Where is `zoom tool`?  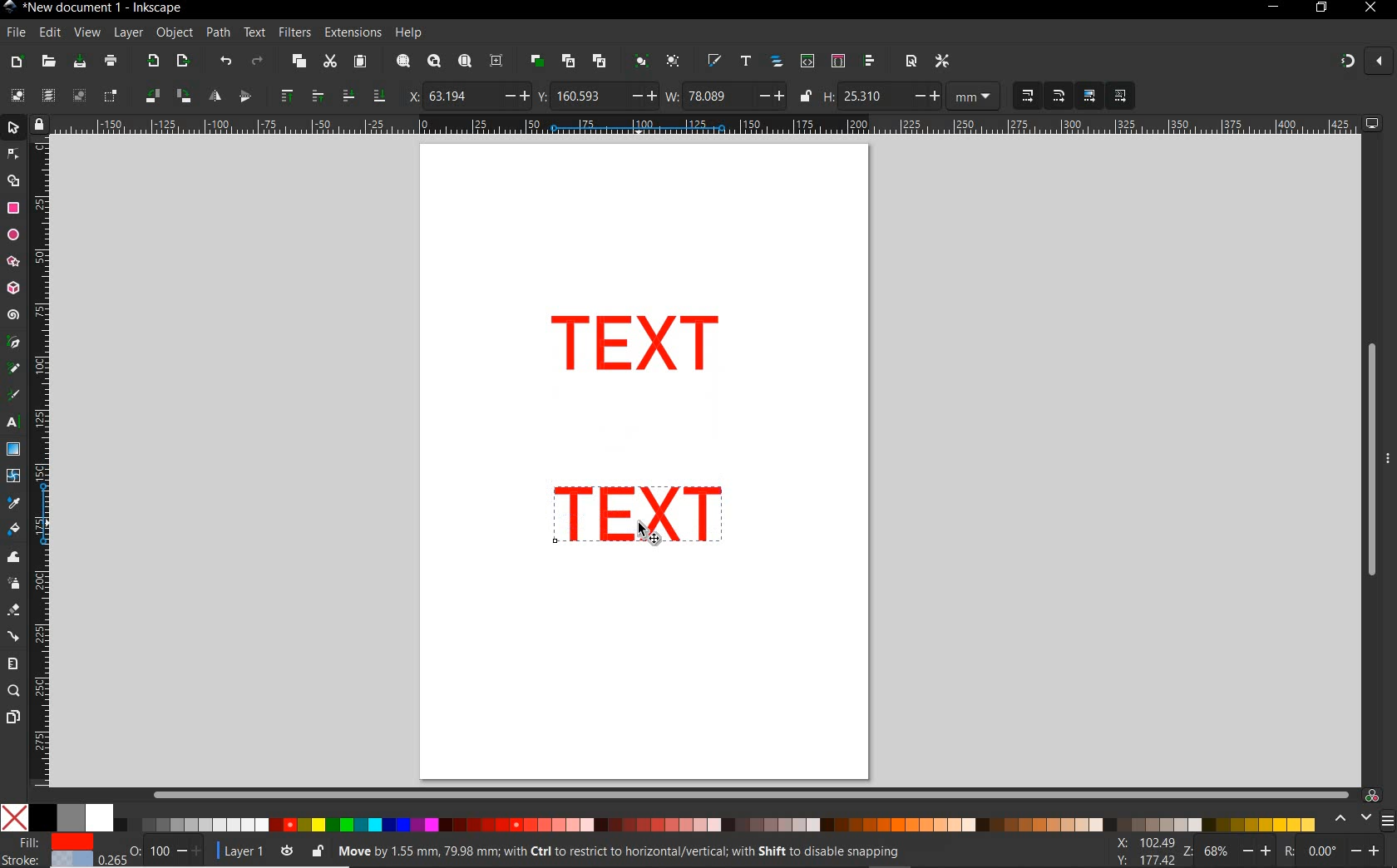 zoom tool is located at coordinates (13, 692).